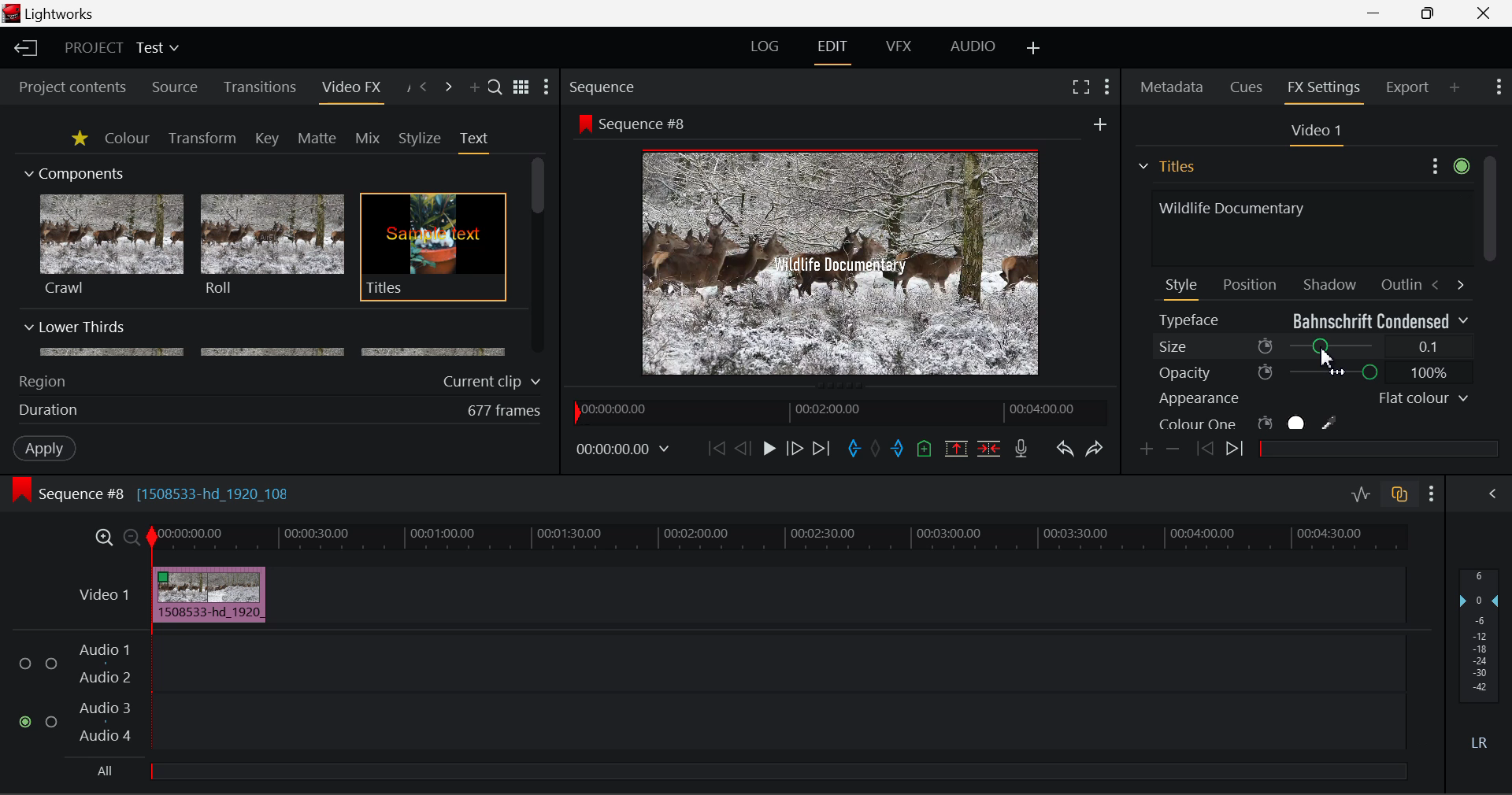 The height and width of the screenshot is (795, 1512). Describe the element at coordinates (1447, 283) in the screenshot. I see `Move between Tabs` at that location.